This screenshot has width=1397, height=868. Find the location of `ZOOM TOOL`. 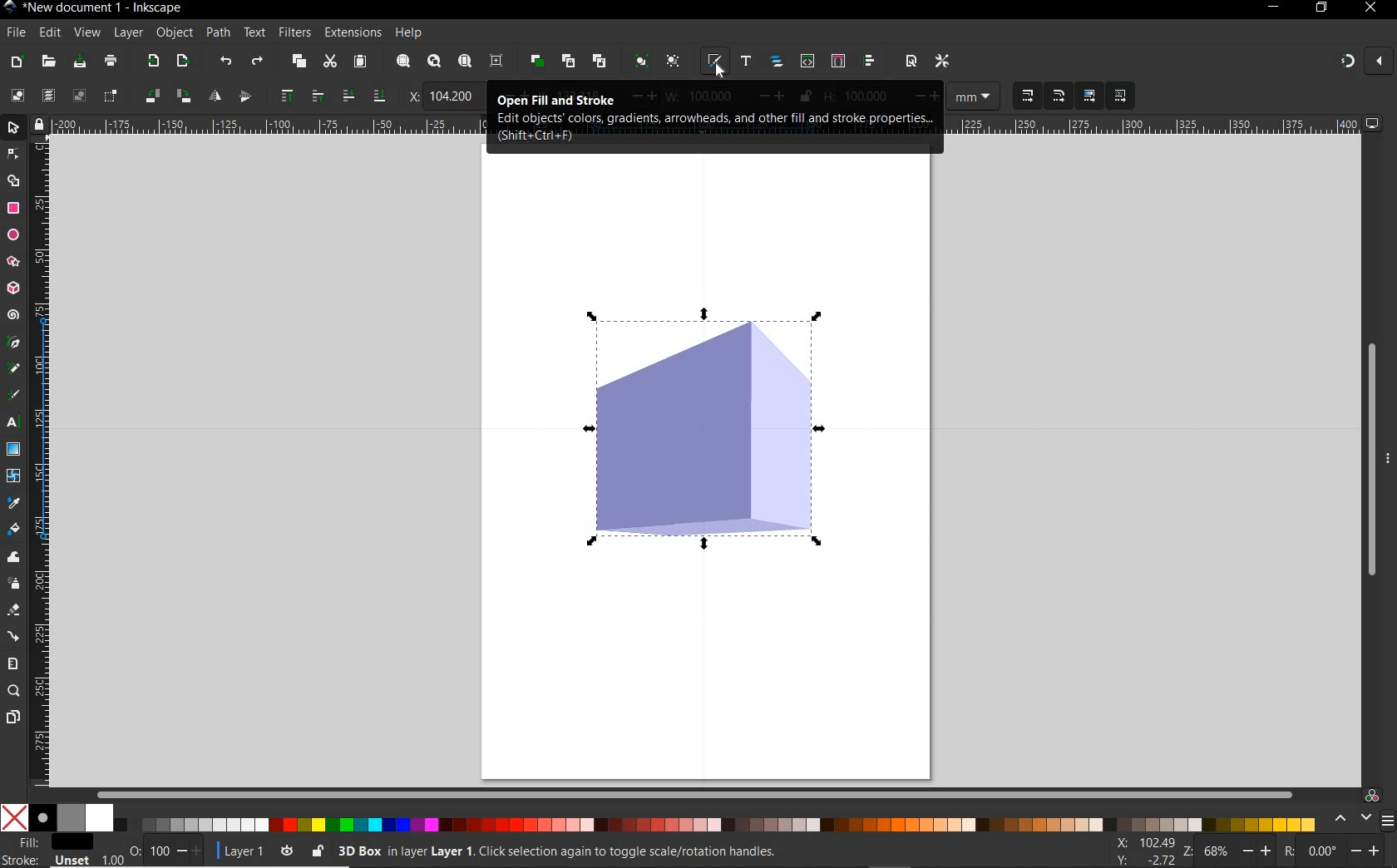

ZOOM TOOL is located at coordinates (15, 691).